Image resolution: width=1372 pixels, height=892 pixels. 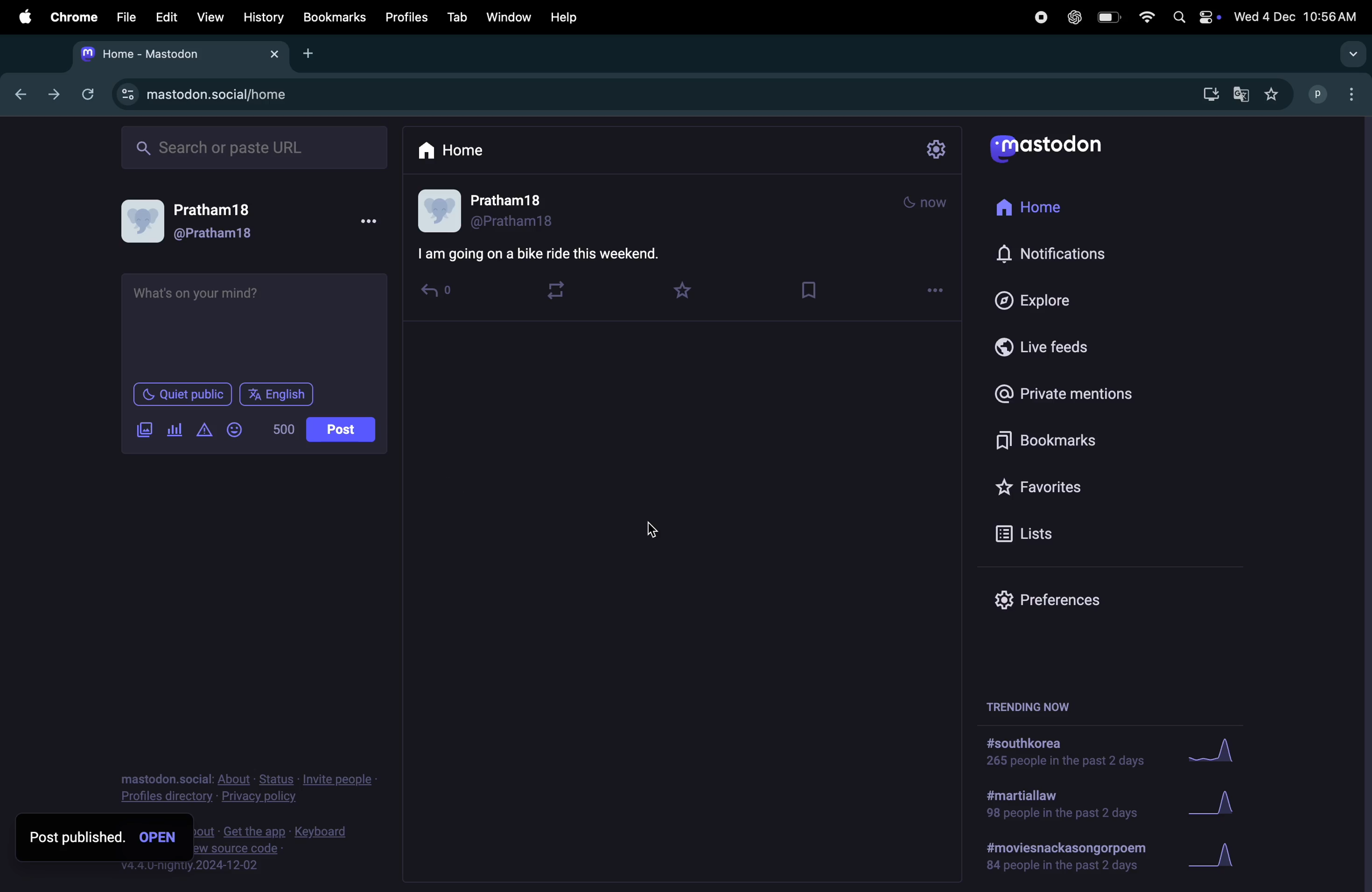 I want to click on #martial law, so click(x=1061, y=803).